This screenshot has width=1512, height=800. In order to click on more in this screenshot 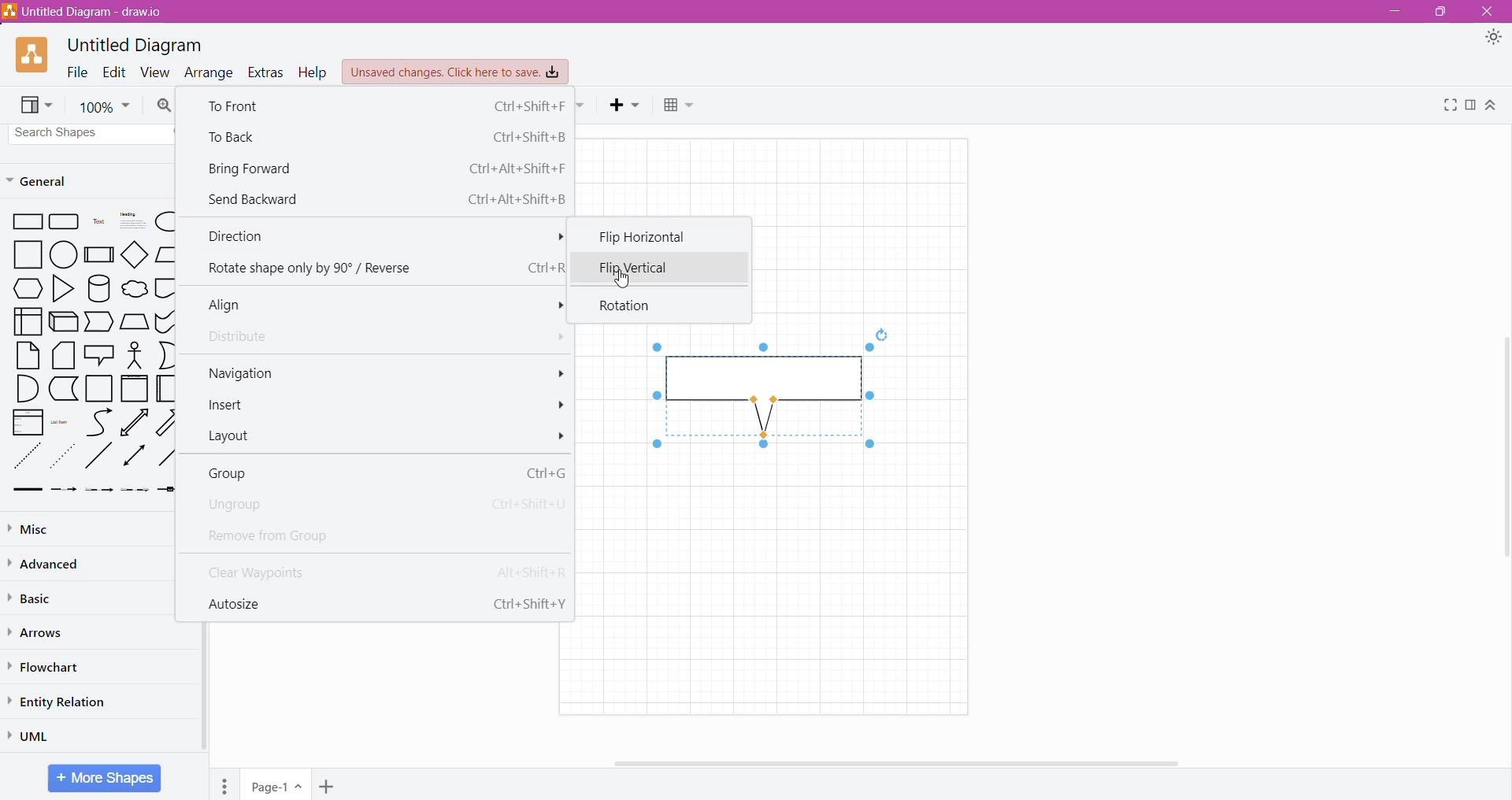, I will do `click(554, 338)`.